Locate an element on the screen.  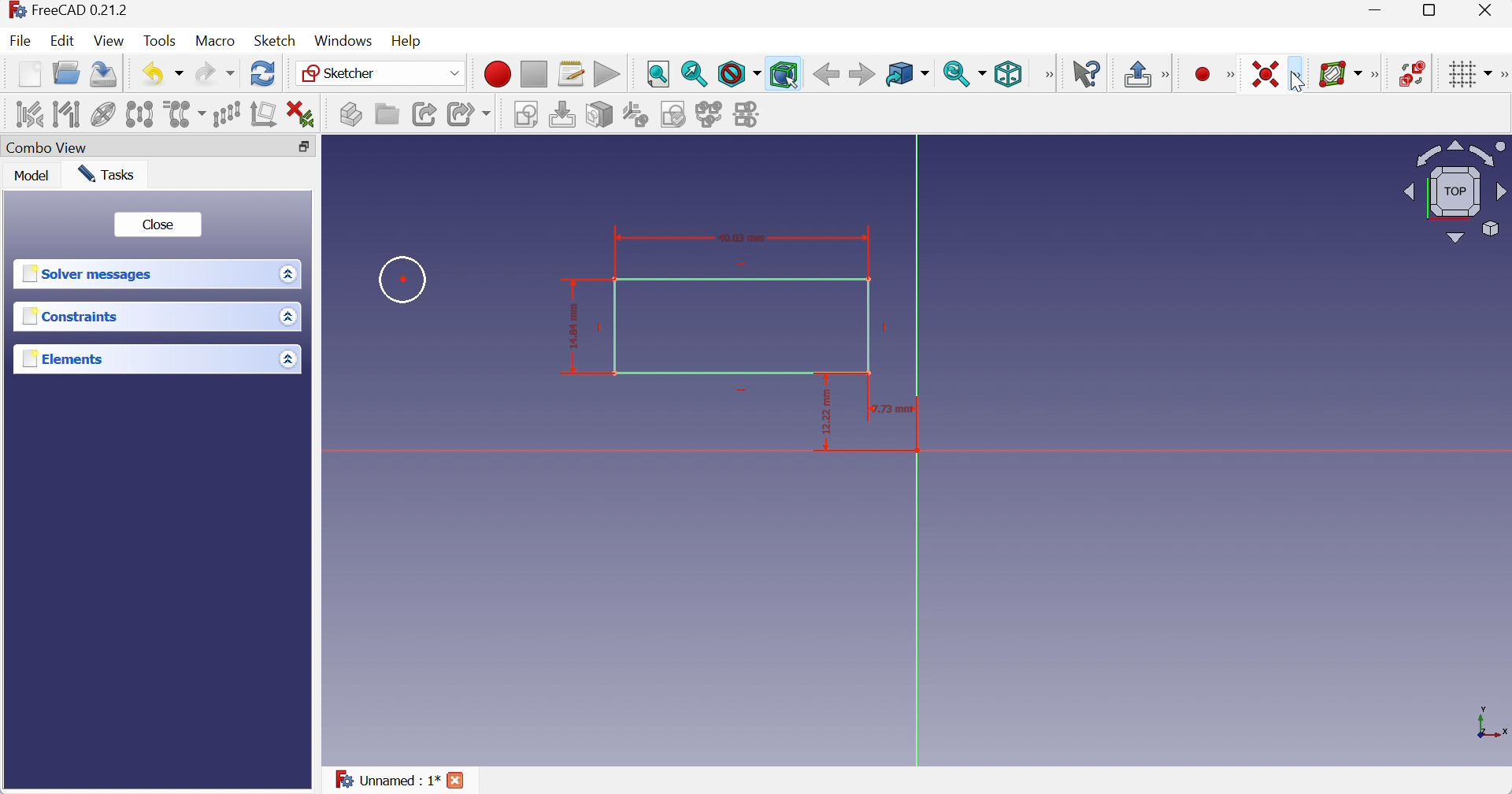
Back is located at coordinates (825, 75).